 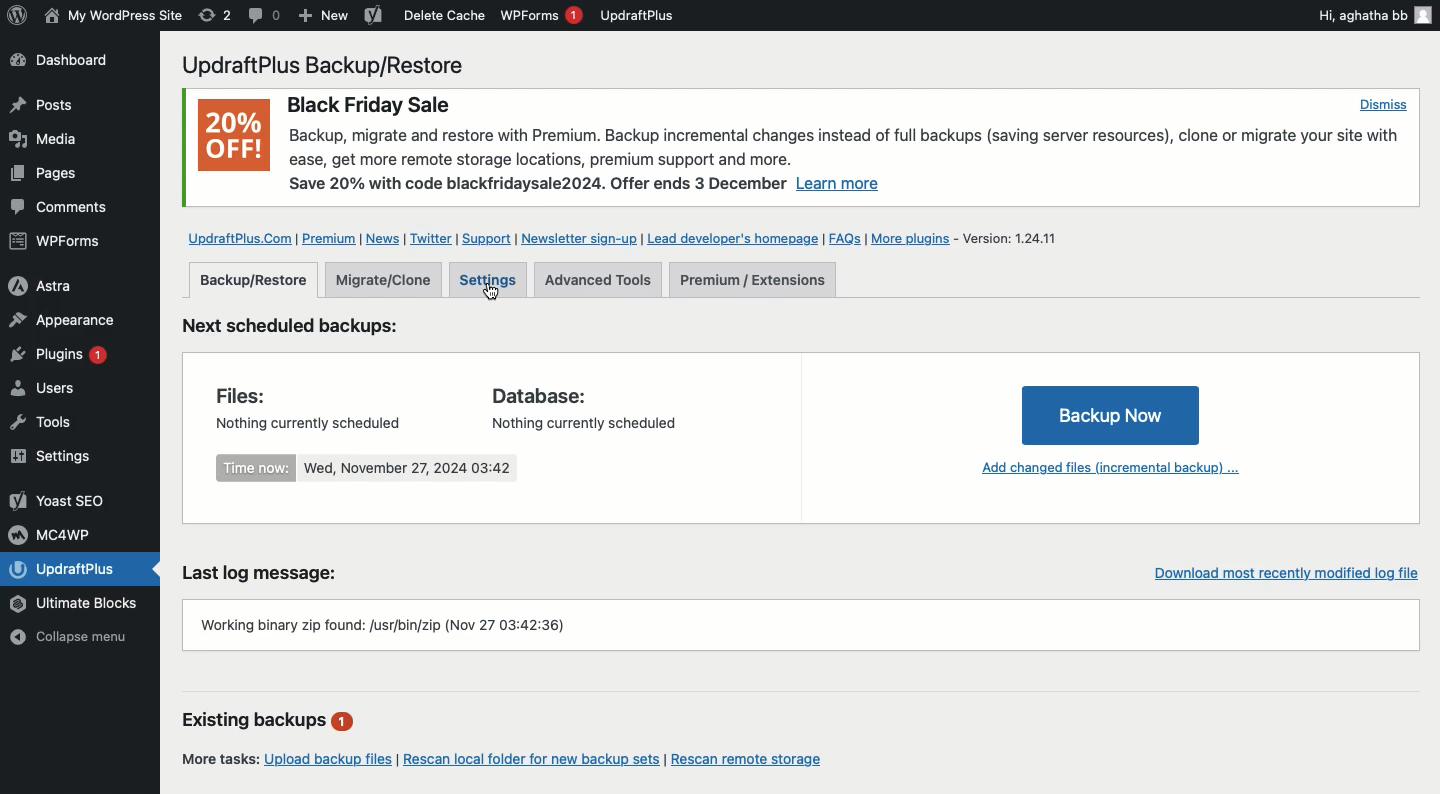 I want to click on Rescan local folder for new backup sets, so click(x=534, y=760).